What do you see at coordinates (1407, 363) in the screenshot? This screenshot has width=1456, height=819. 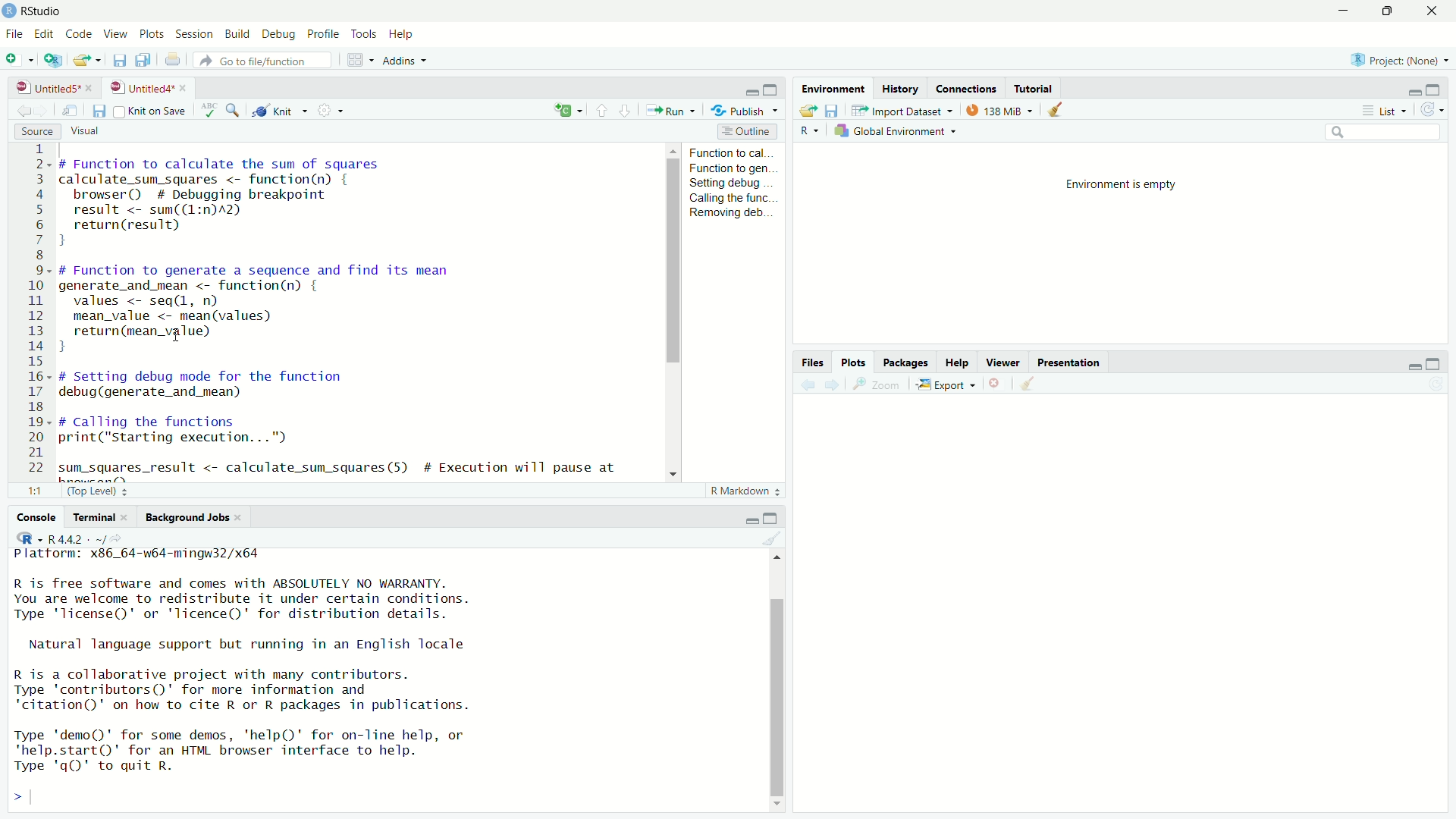 I see `minimize` at bounding box center [1407, 363].